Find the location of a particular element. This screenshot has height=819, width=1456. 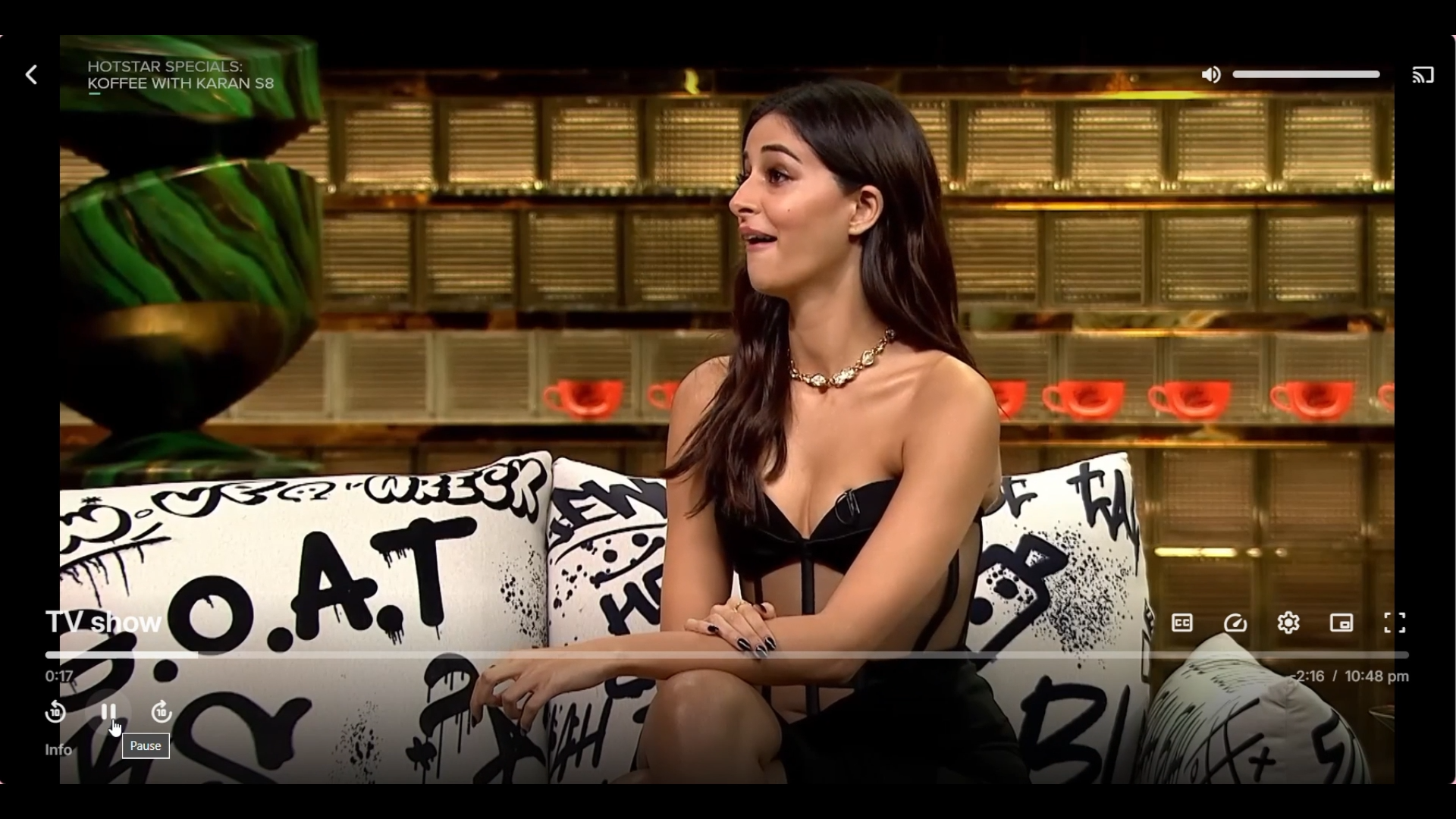

Go back is located at coordinates (33, 74).